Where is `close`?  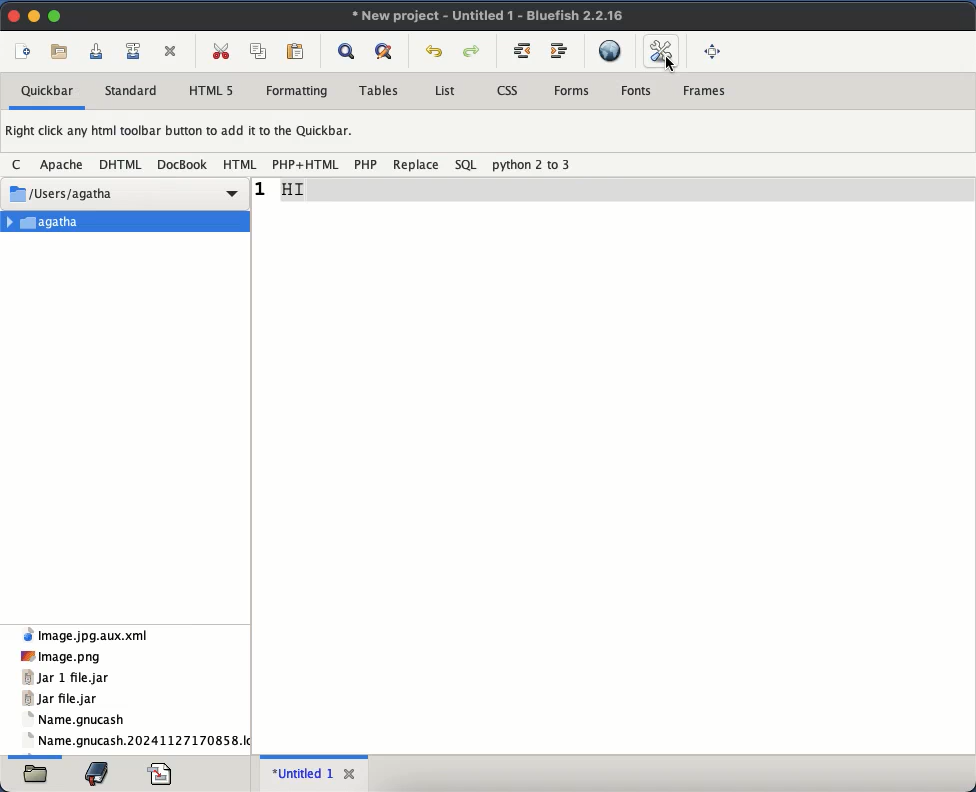 close is located at coordinates (349, 774).